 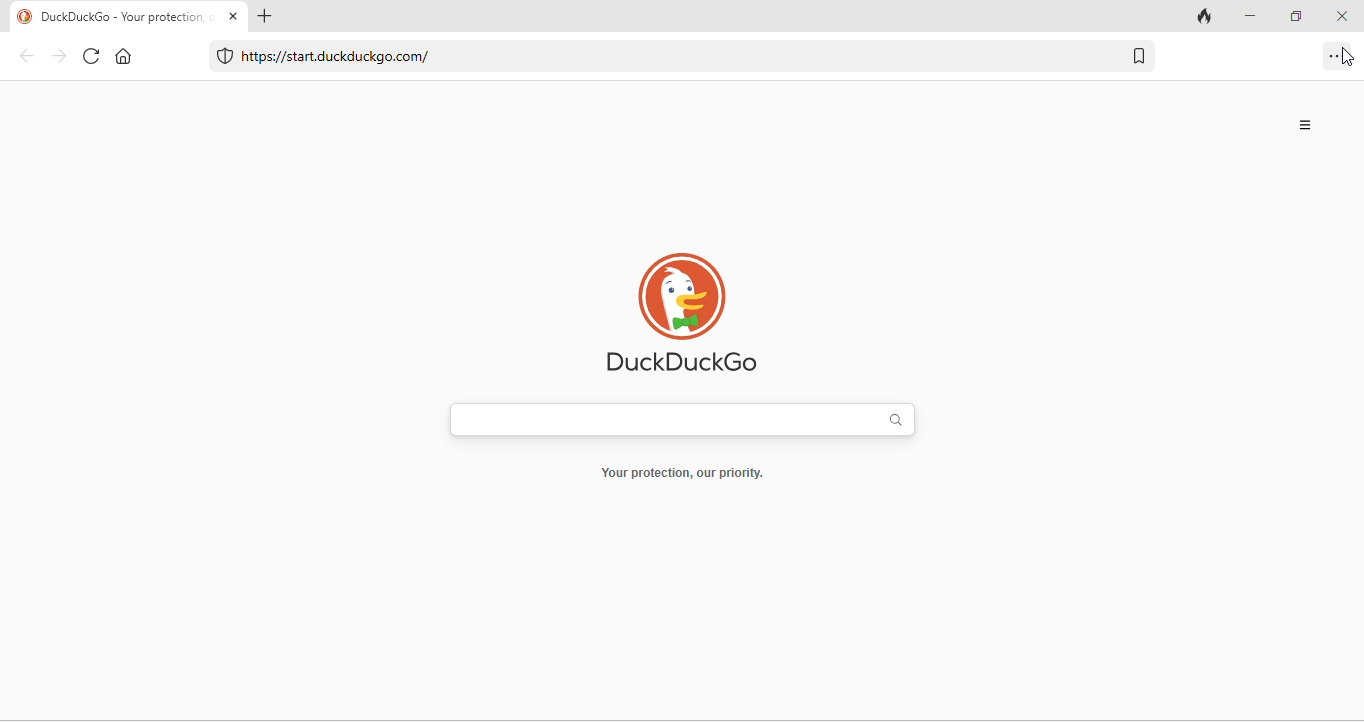 What do you see at coordinates (268, 17) in the screenshot?
I see `add new tab` at bounding box center [268, 17].